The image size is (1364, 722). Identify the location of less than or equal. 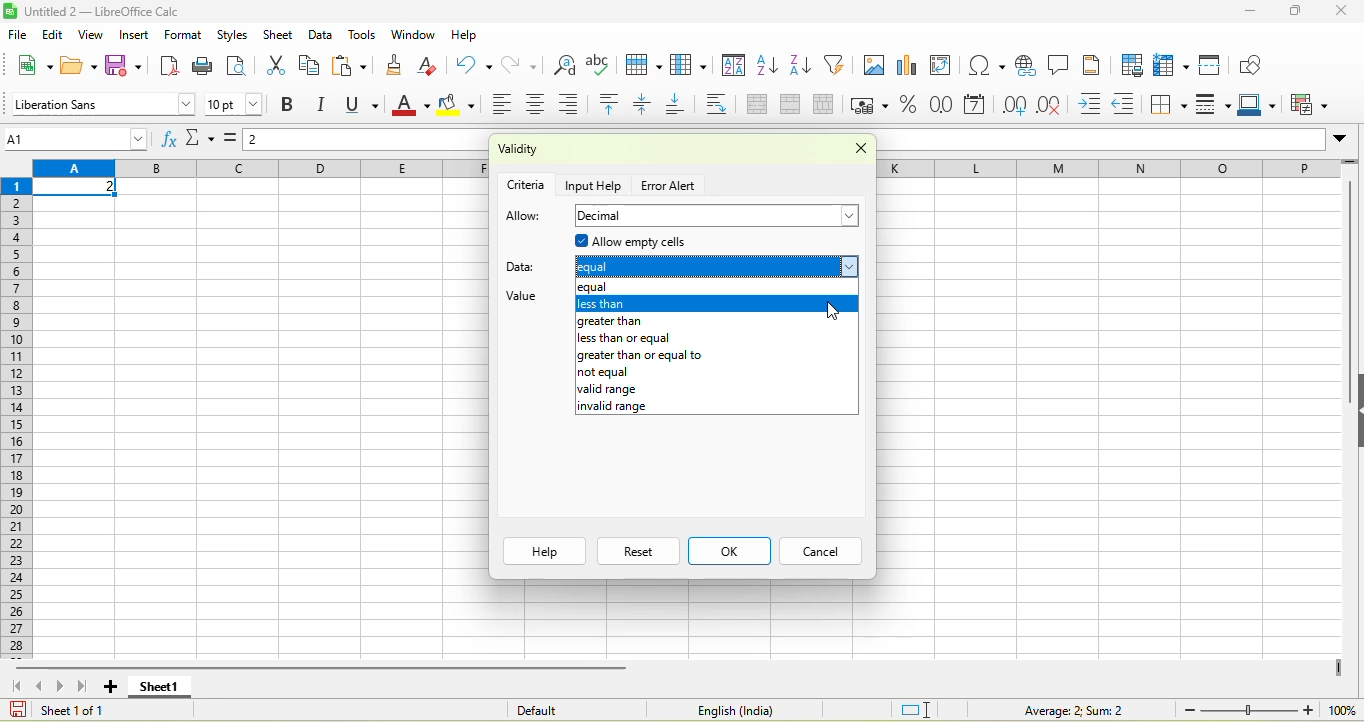
(713, 337).